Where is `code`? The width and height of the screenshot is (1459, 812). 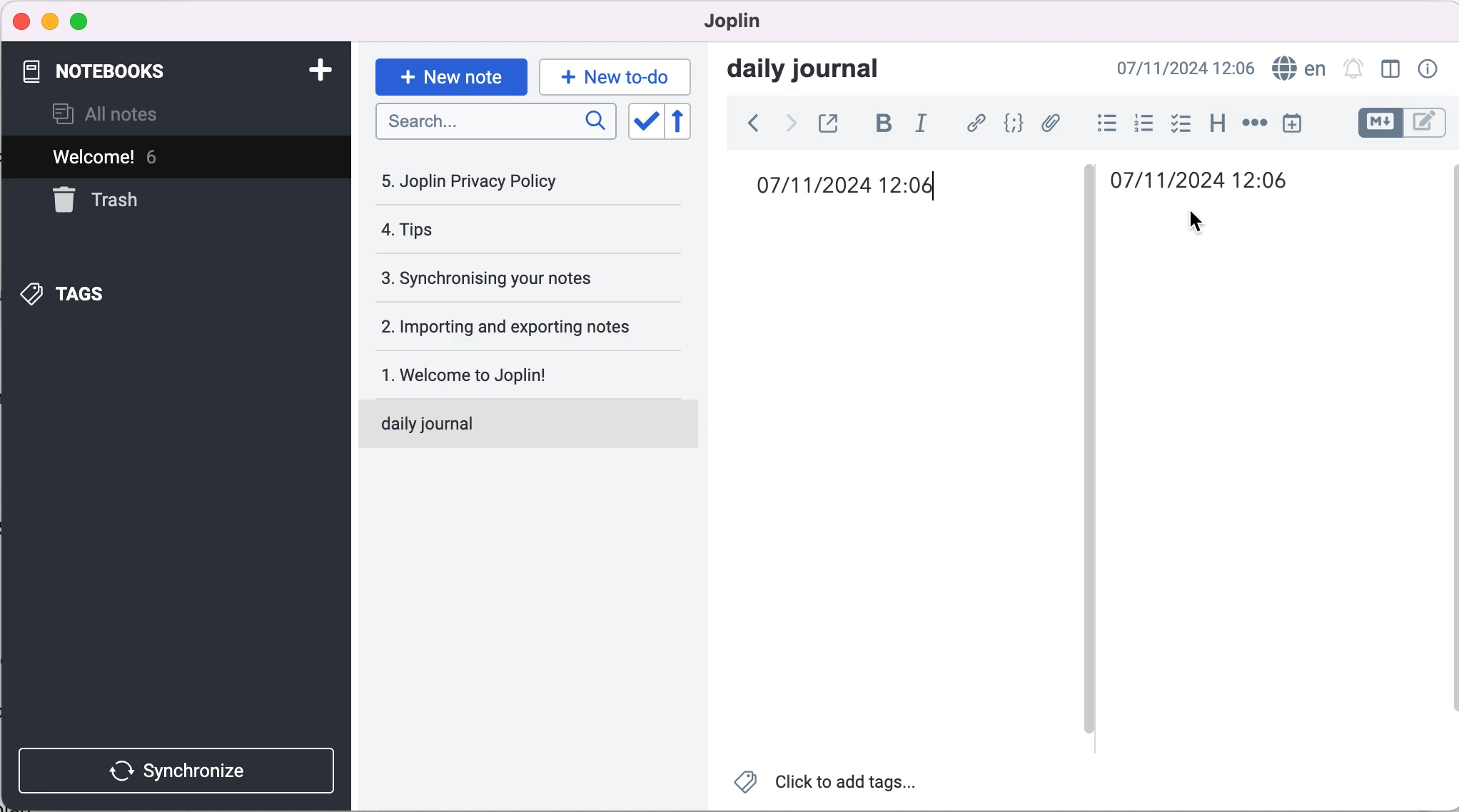
code is located at coordinates (1009, 124).